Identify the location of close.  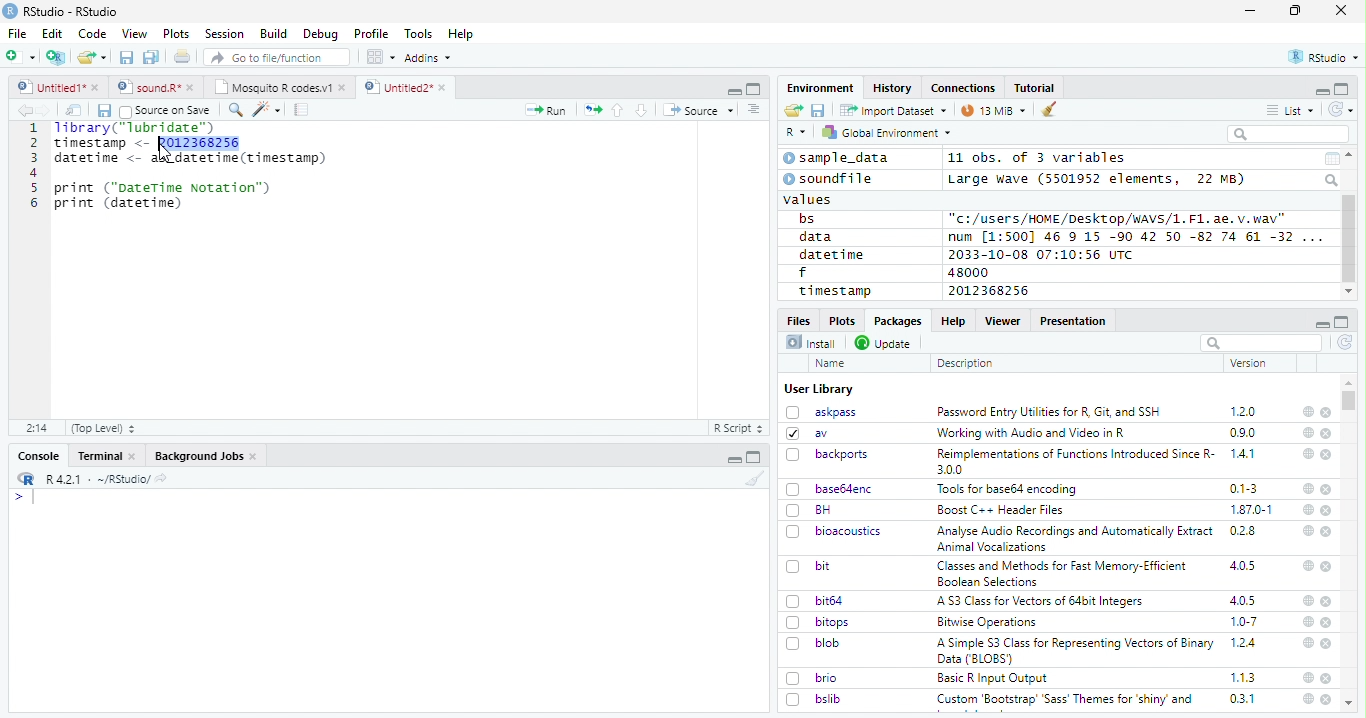
(1327, 623).